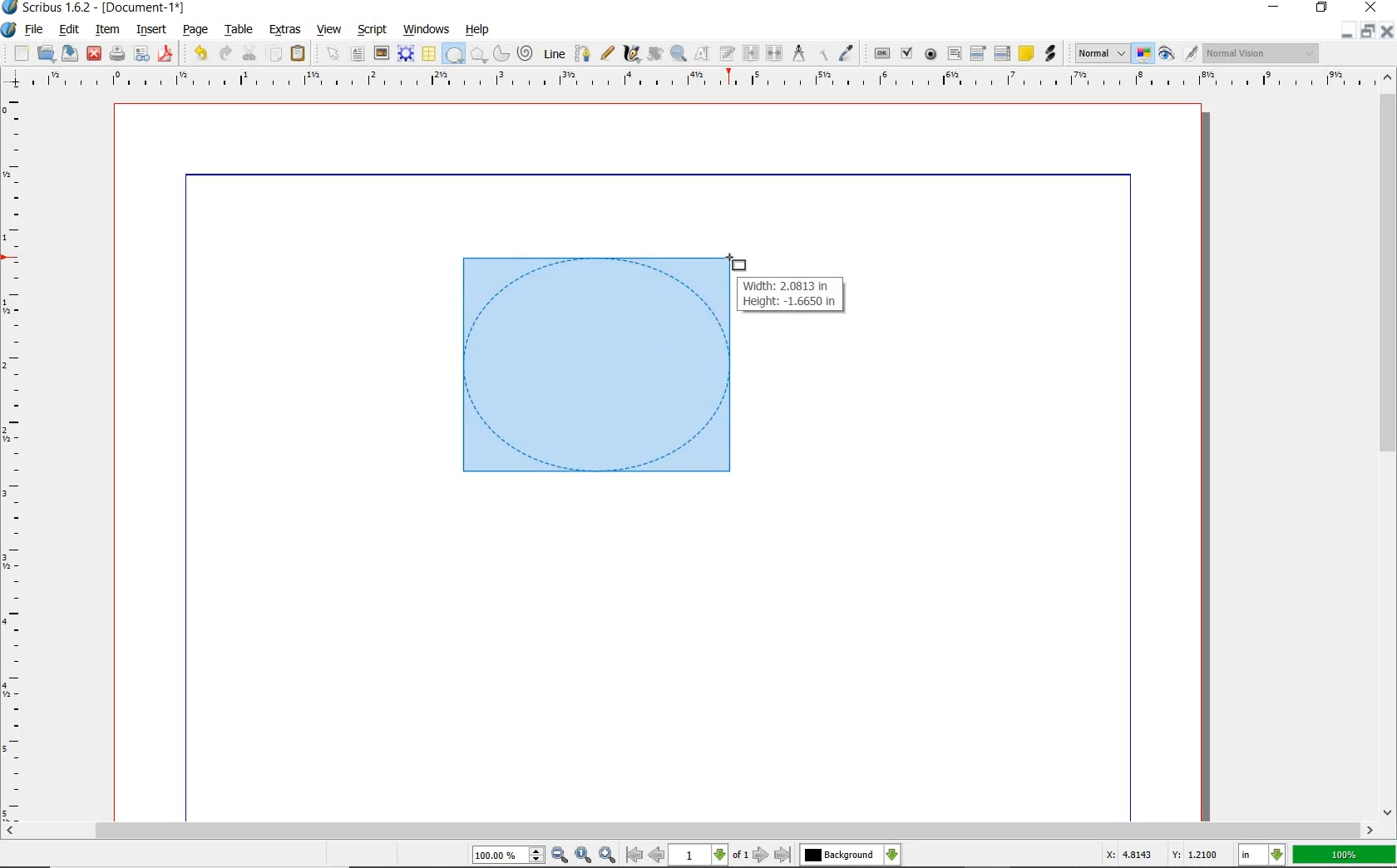 This screenshot has height=868, width=1397. Describe the element at coordinates (250, 52) in the screenshot. I see `CUT` at that location.